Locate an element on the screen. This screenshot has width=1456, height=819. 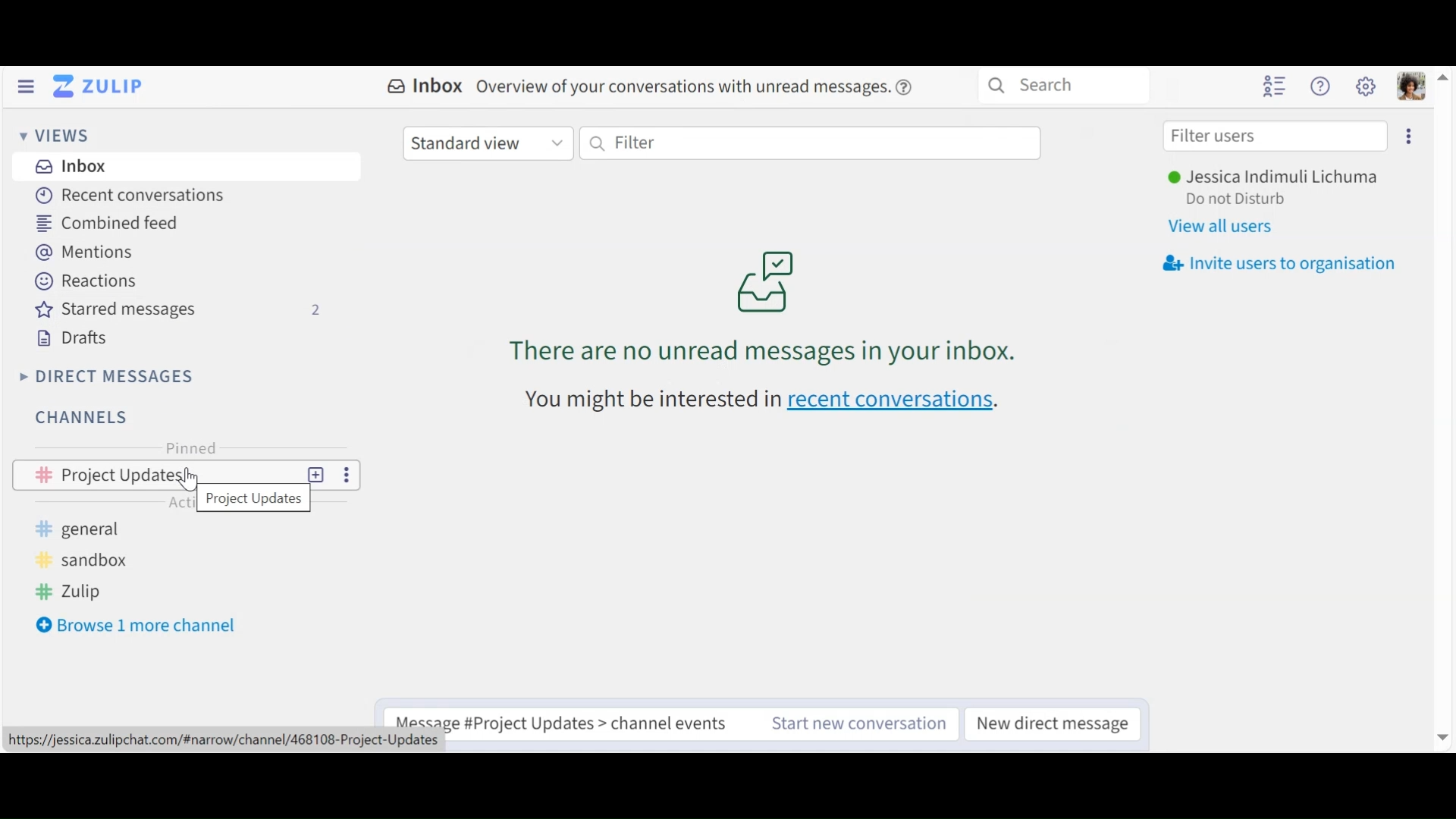
Status is located at coordinates (1238, 201).